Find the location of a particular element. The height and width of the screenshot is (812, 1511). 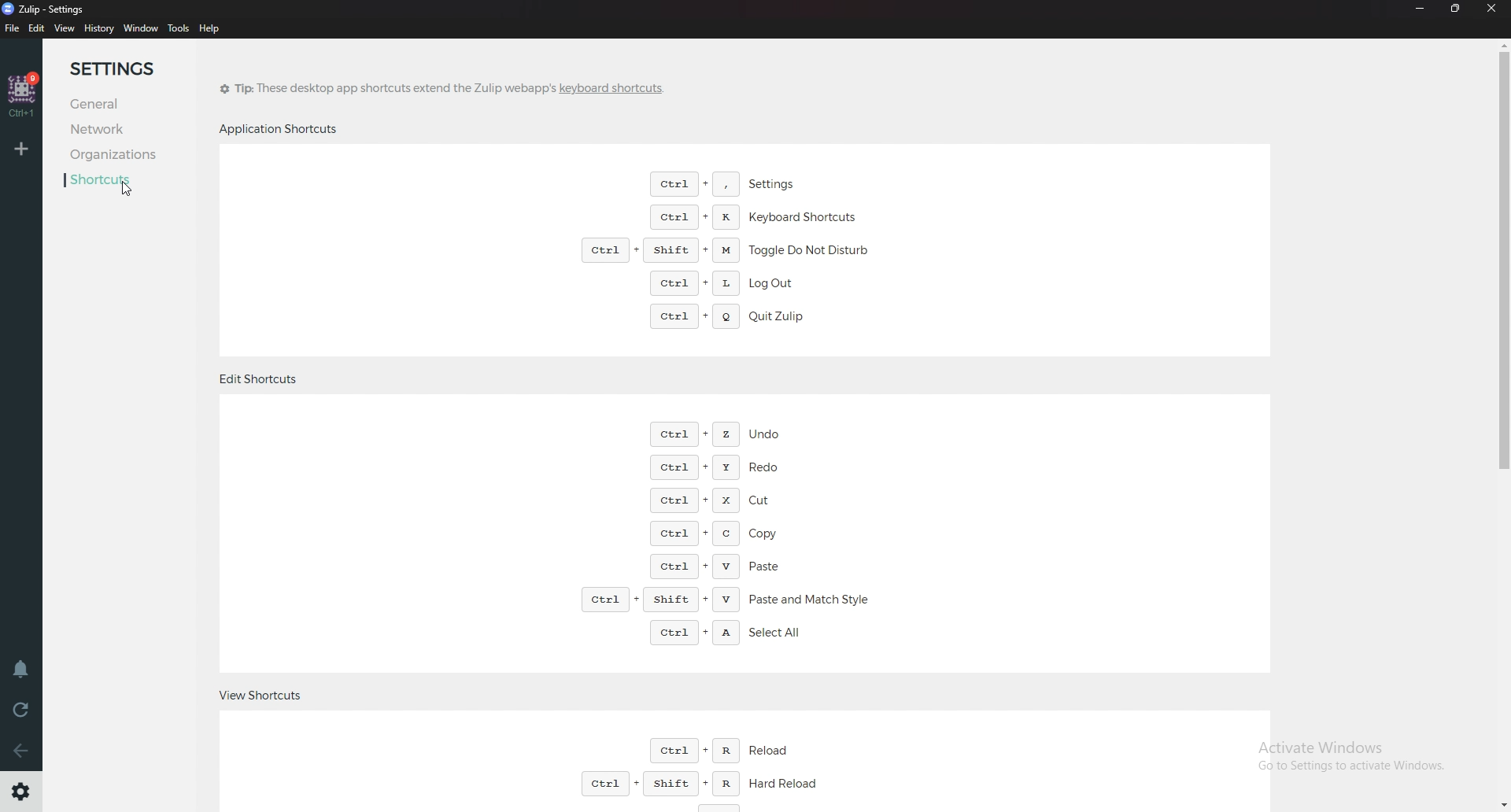

file is located at coordinates (13, 30).